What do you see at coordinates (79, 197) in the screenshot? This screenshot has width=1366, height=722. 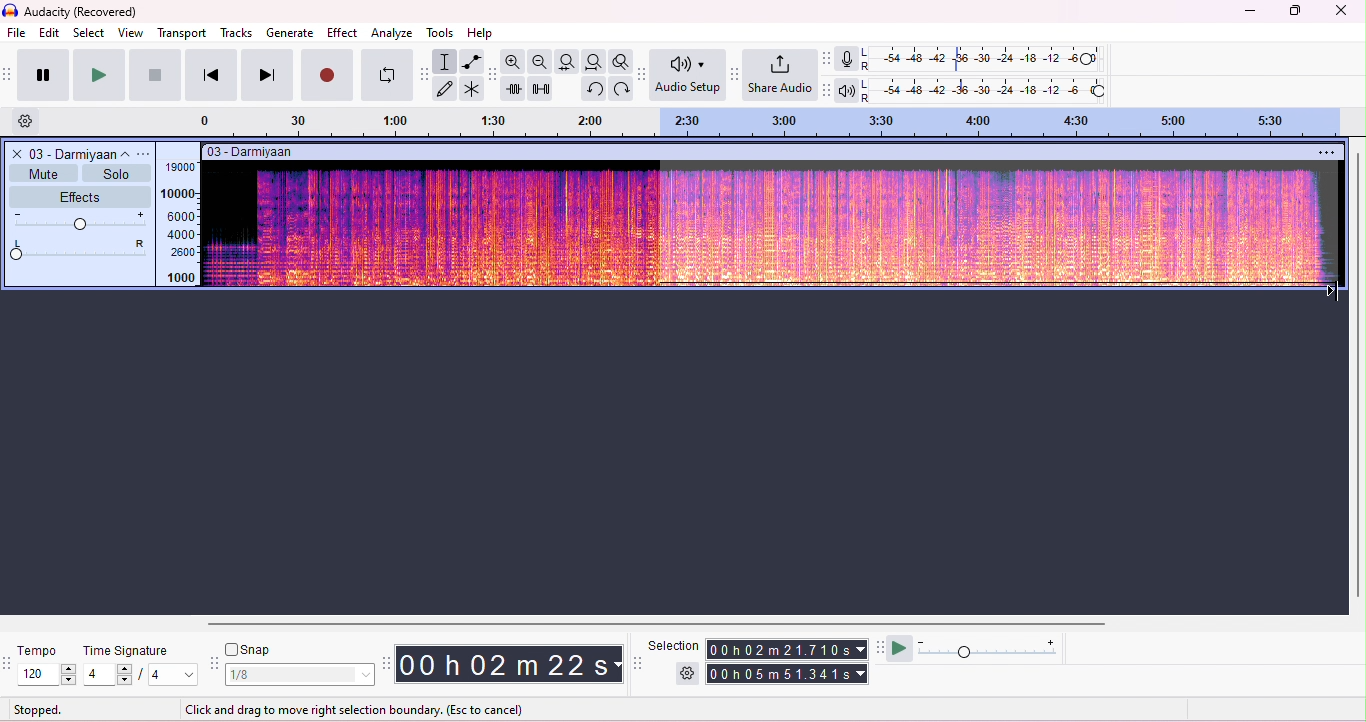 I see `effects` at bounding box center [79, 197].